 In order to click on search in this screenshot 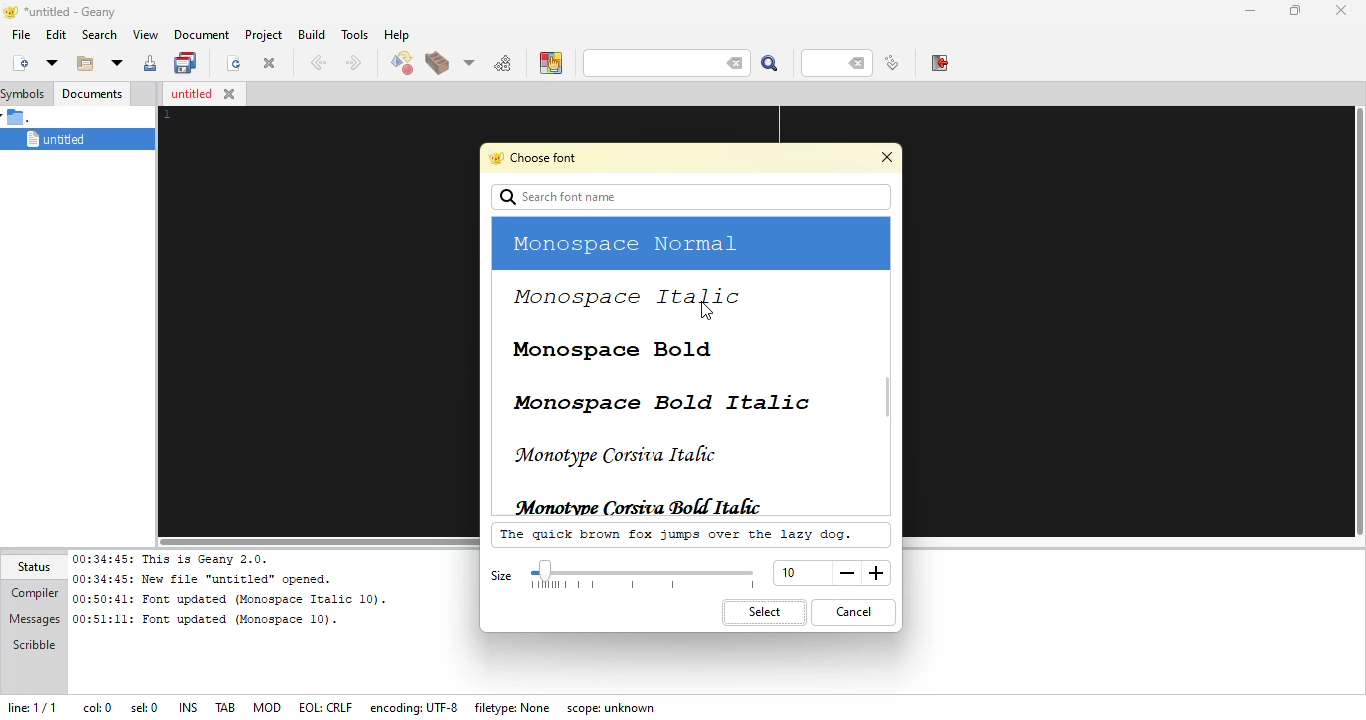, I will do `click(641, 63)`.